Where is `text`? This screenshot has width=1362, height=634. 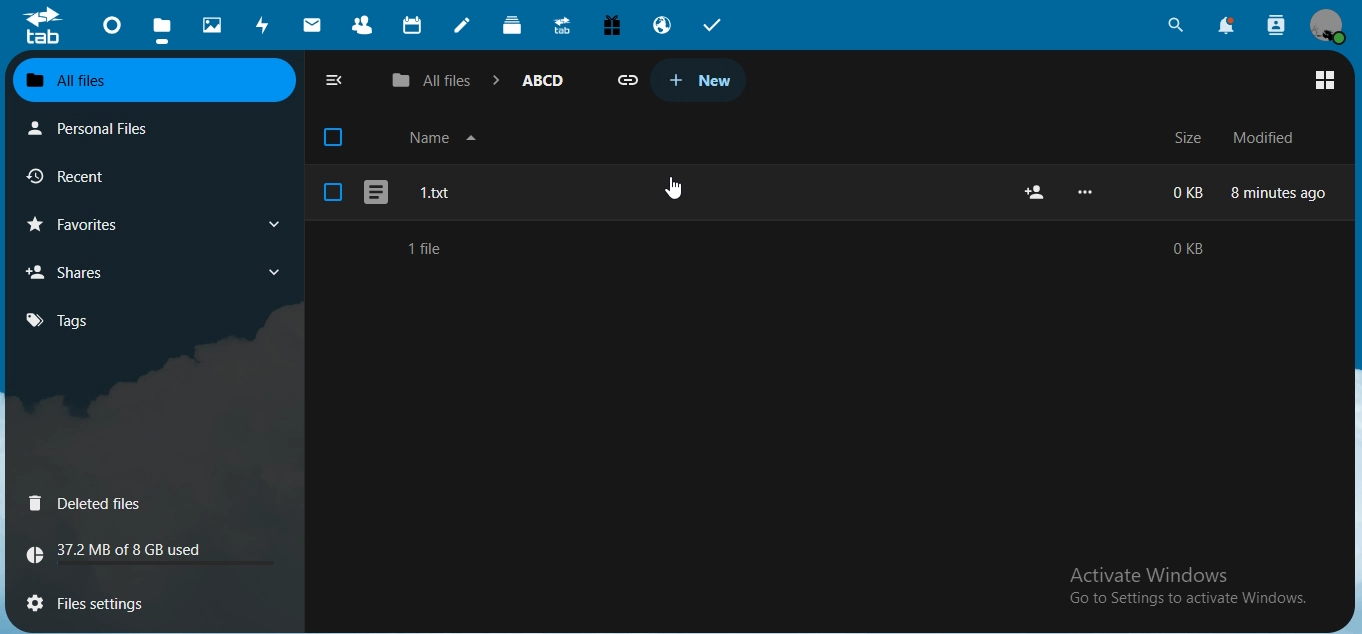
text is located at coordinates (1196, 592).